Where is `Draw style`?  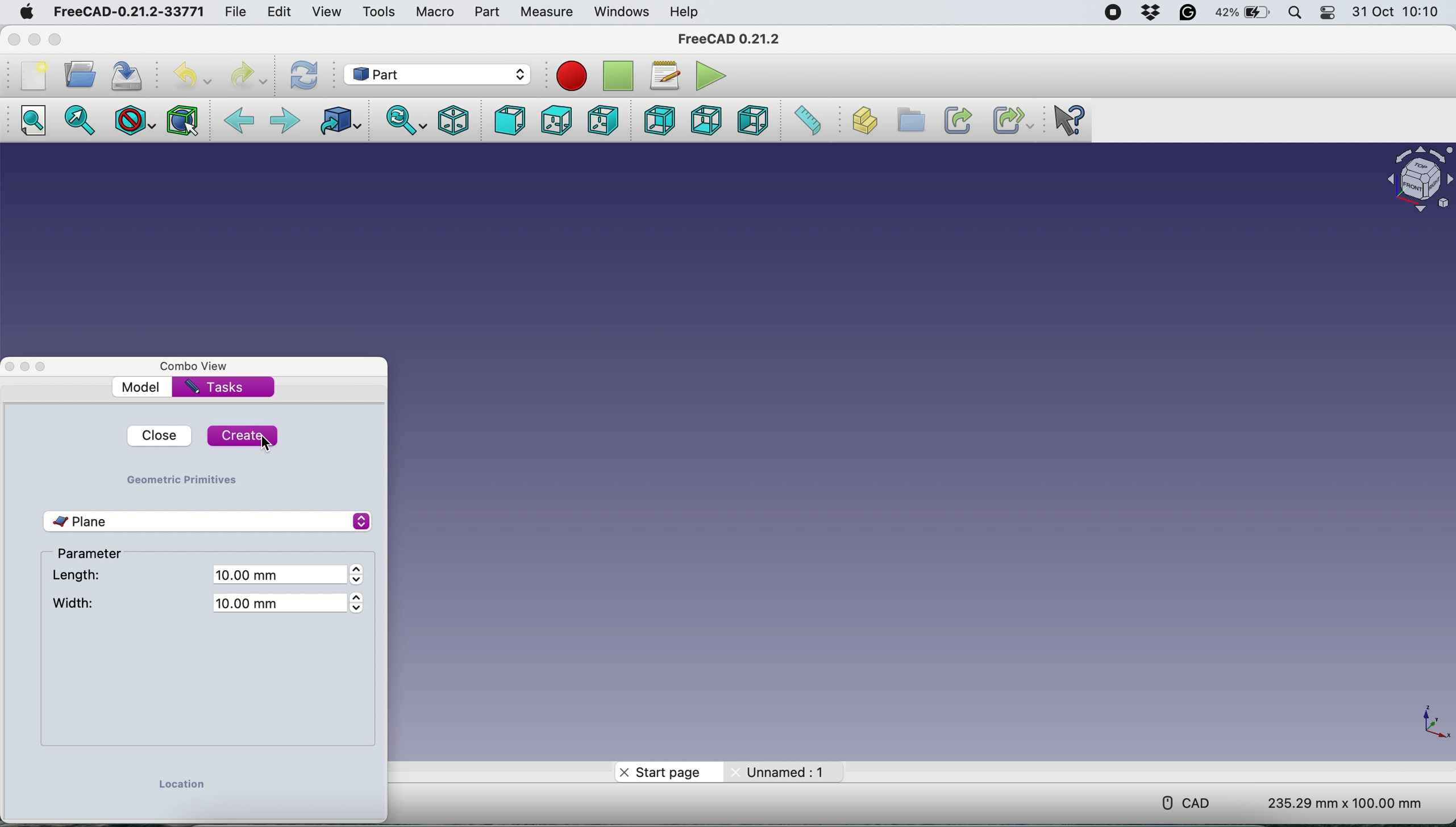
Draw style is located at coordinates (132, 120).